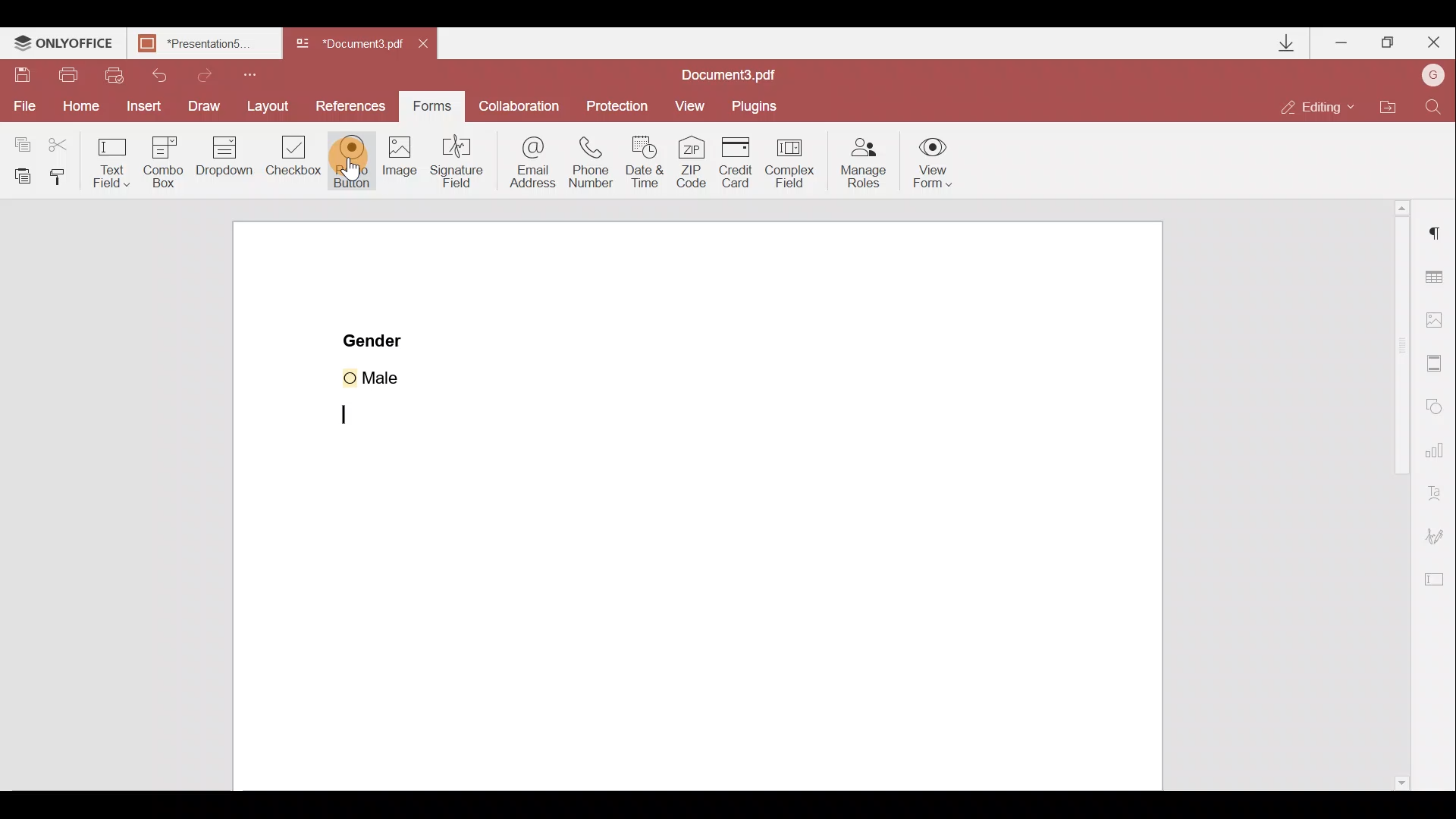  What do you see at coordinates (356, 416) in the screenshot?
I see `Cursor` at bounding box center [356, 416].